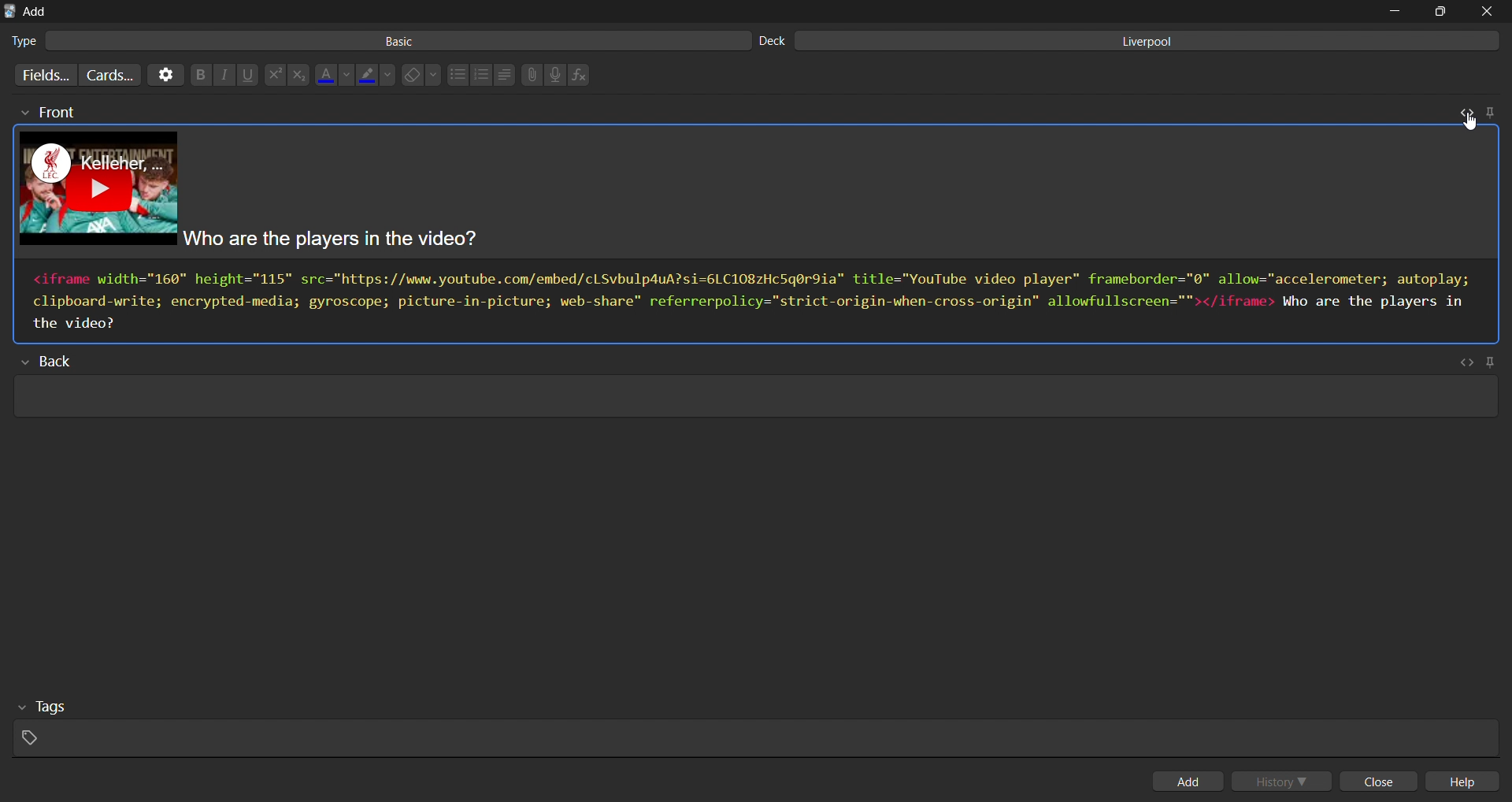  Describe the element at coordinates (298, 75) in the screenshot. I see `subscript` at that location.